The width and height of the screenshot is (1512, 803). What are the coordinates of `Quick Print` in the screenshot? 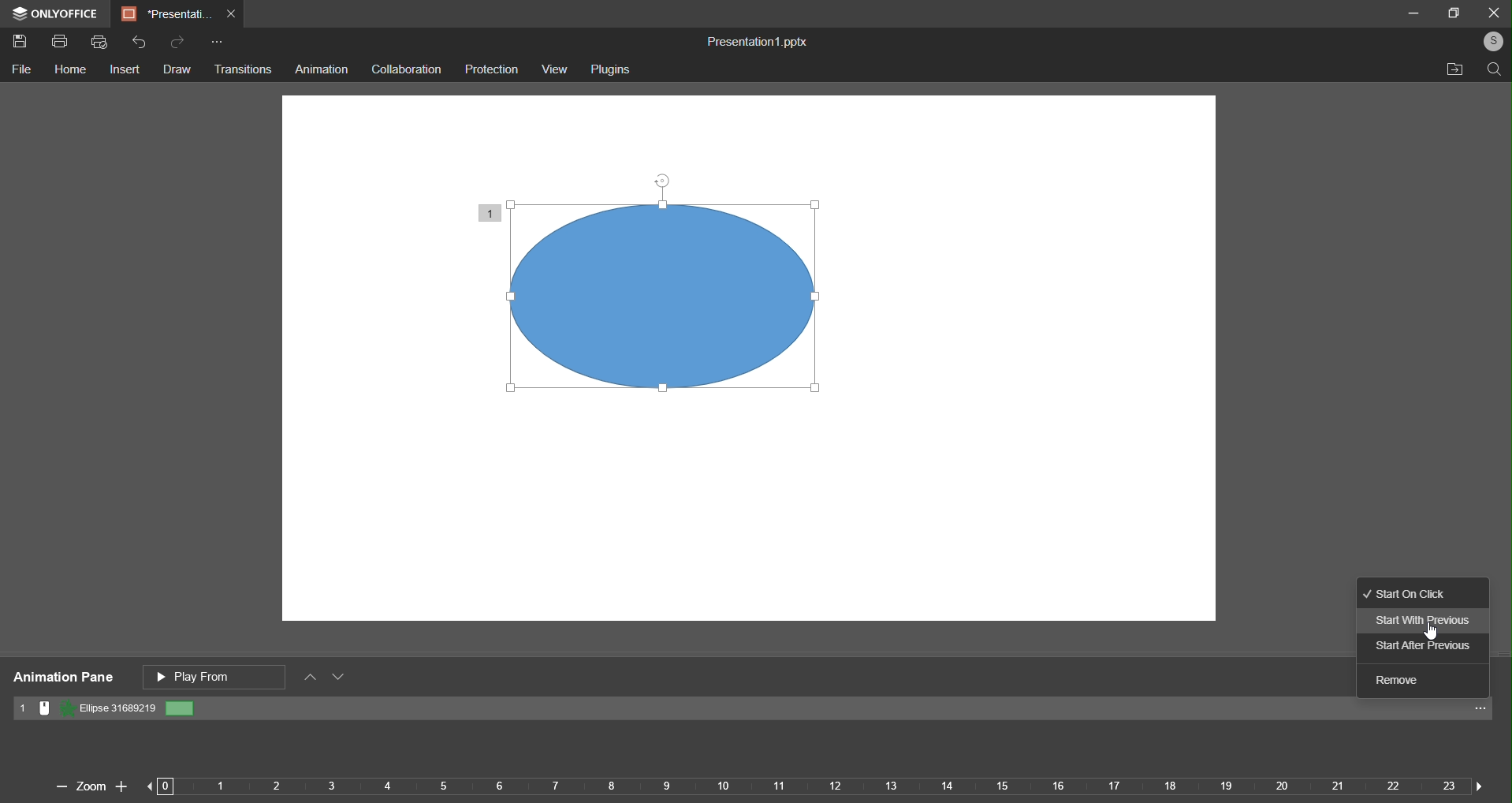 It's located at (102, 43).